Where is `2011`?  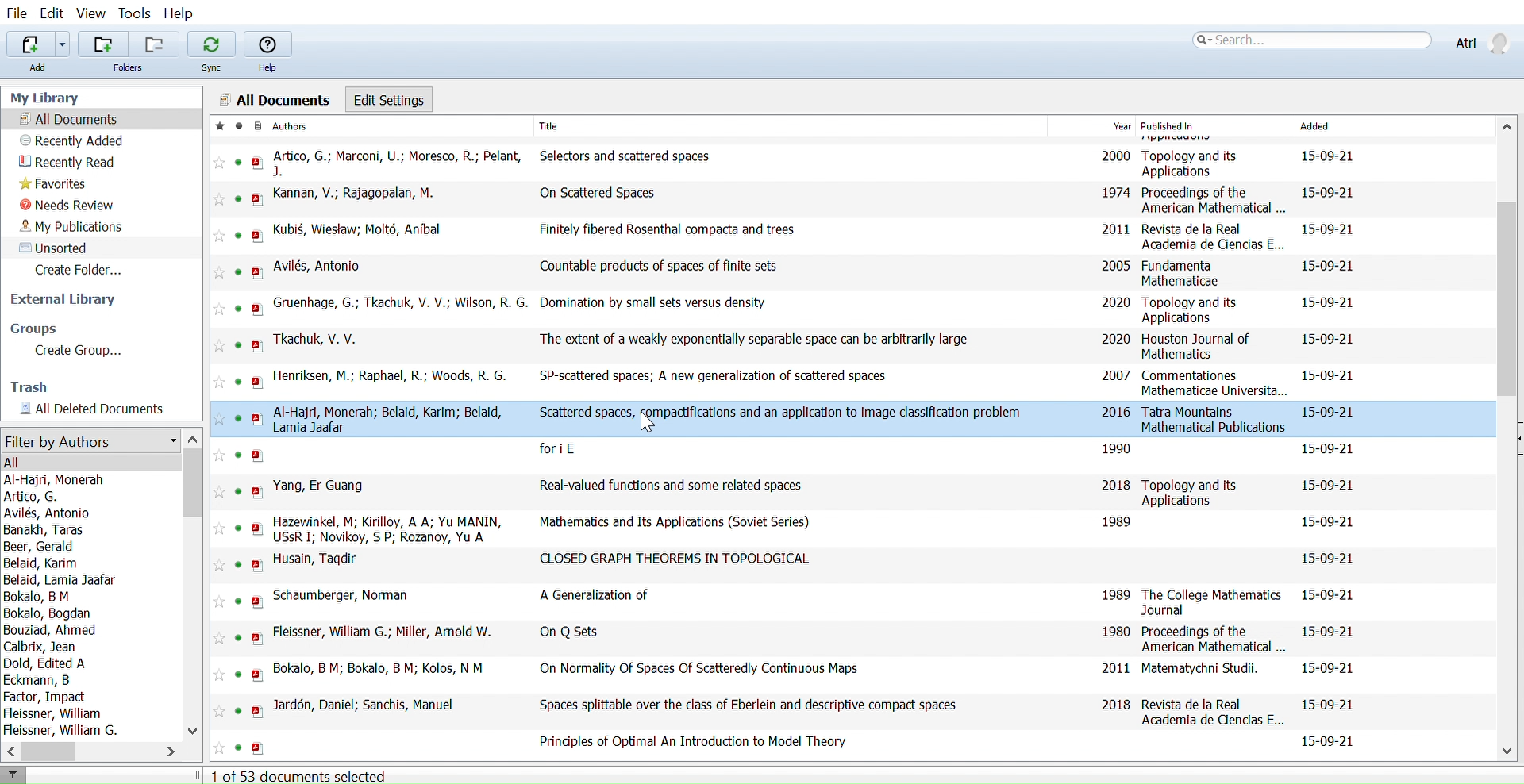
2011 is located at coordinates (1114, 231).